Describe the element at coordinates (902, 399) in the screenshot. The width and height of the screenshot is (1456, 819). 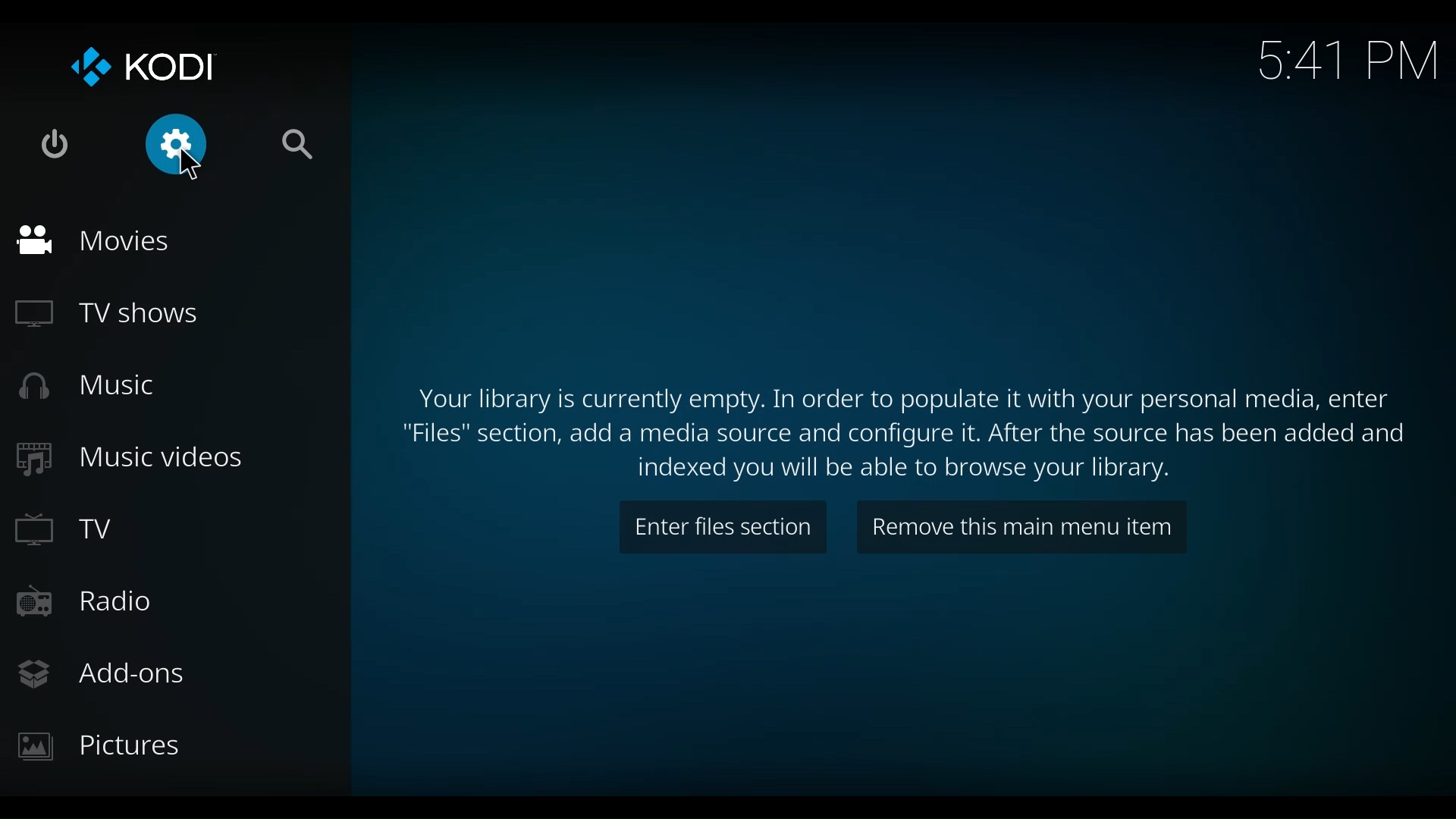
I see `Your library is currently empty. In order to populate it with your personal media, enter` at that location.